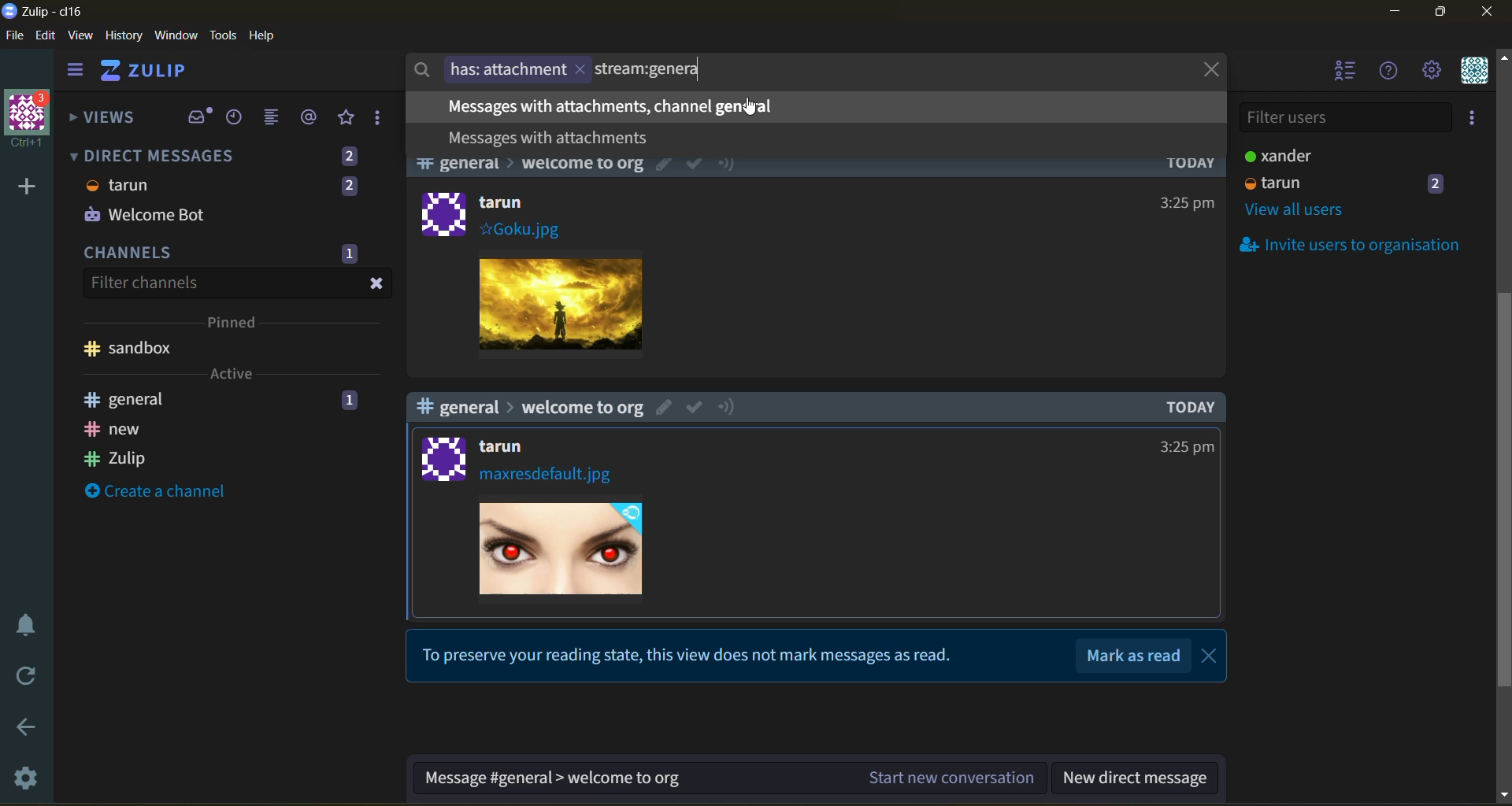  I want to click on scroll bar, so click(1503, 427).